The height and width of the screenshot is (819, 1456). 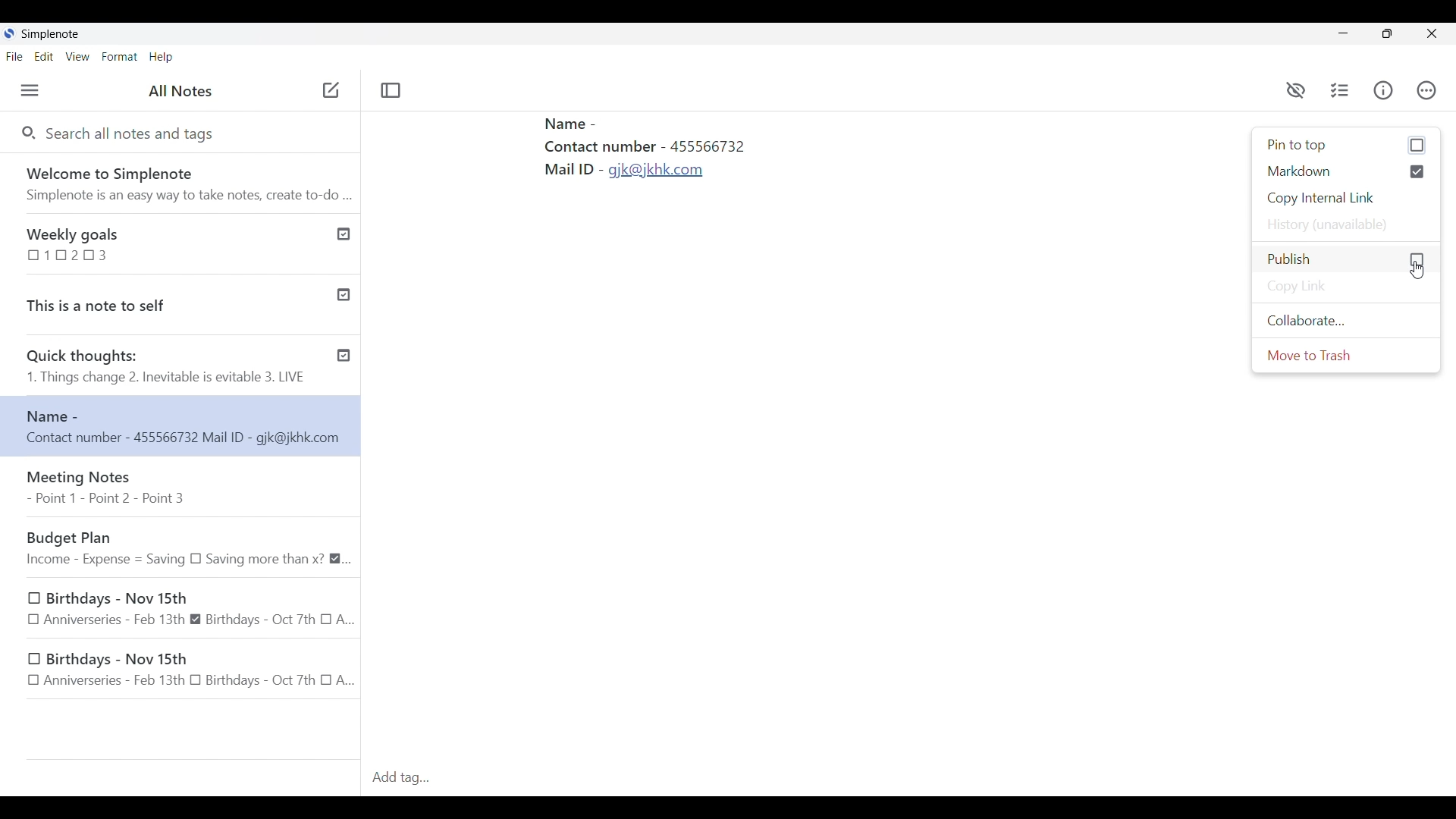 What do you see at coordinates (78, 57) in the screenshot?
I see `View menu` at bounding box center [78, 57].